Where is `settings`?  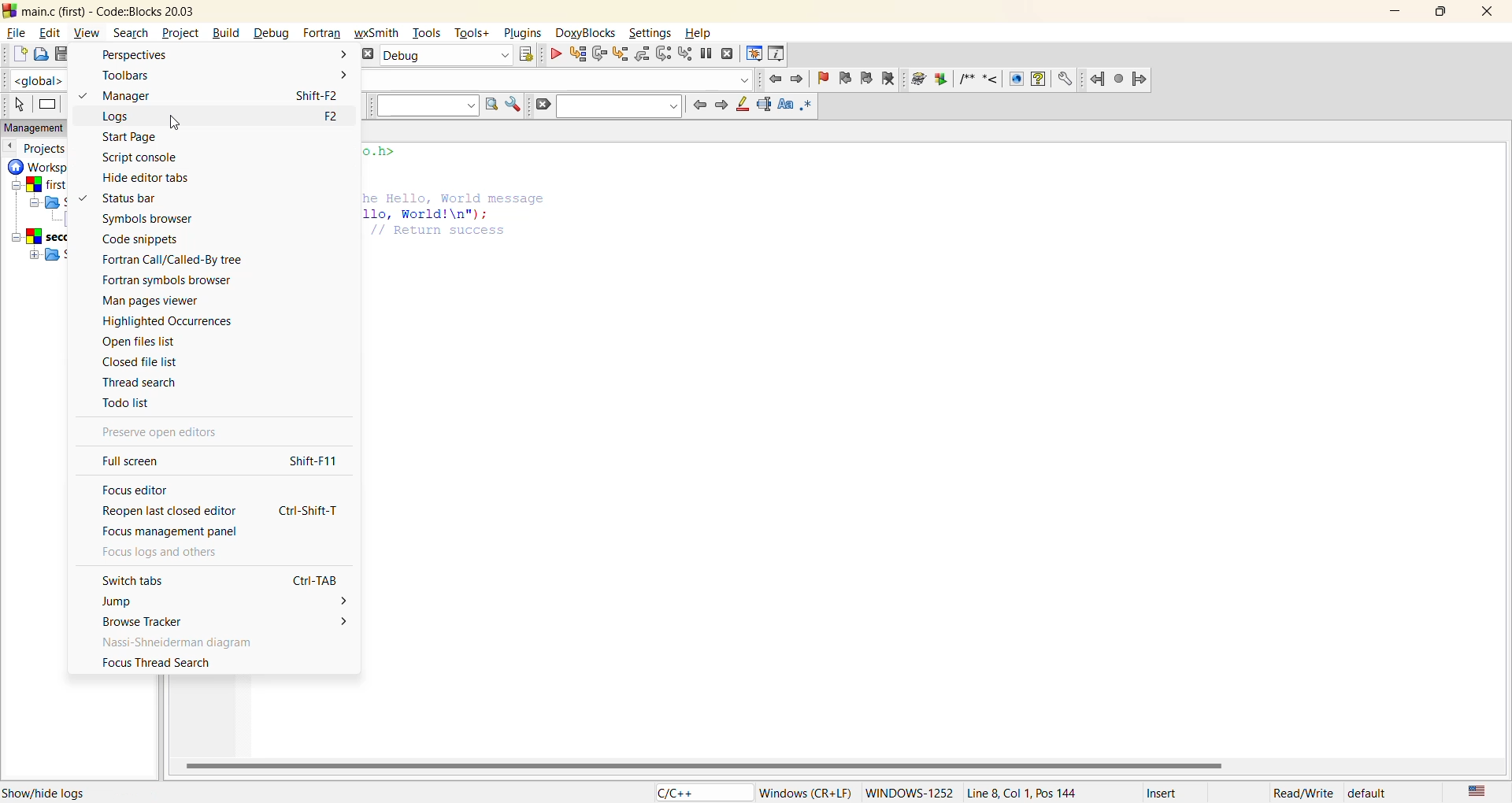 settings is located at coordinates (1065, 79).